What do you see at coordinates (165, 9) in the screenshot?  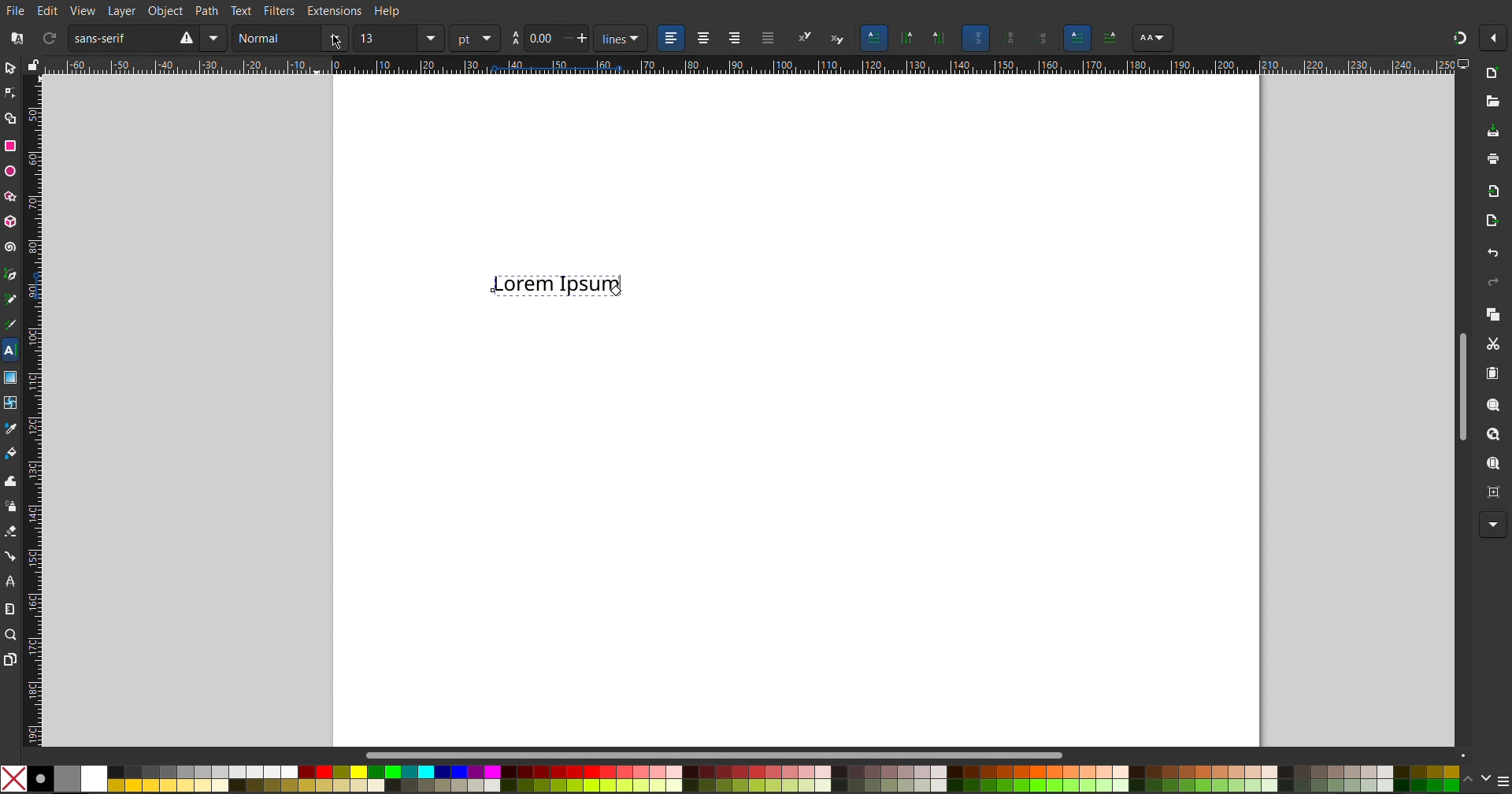 I see `Object` at bounding box center [165, 9].